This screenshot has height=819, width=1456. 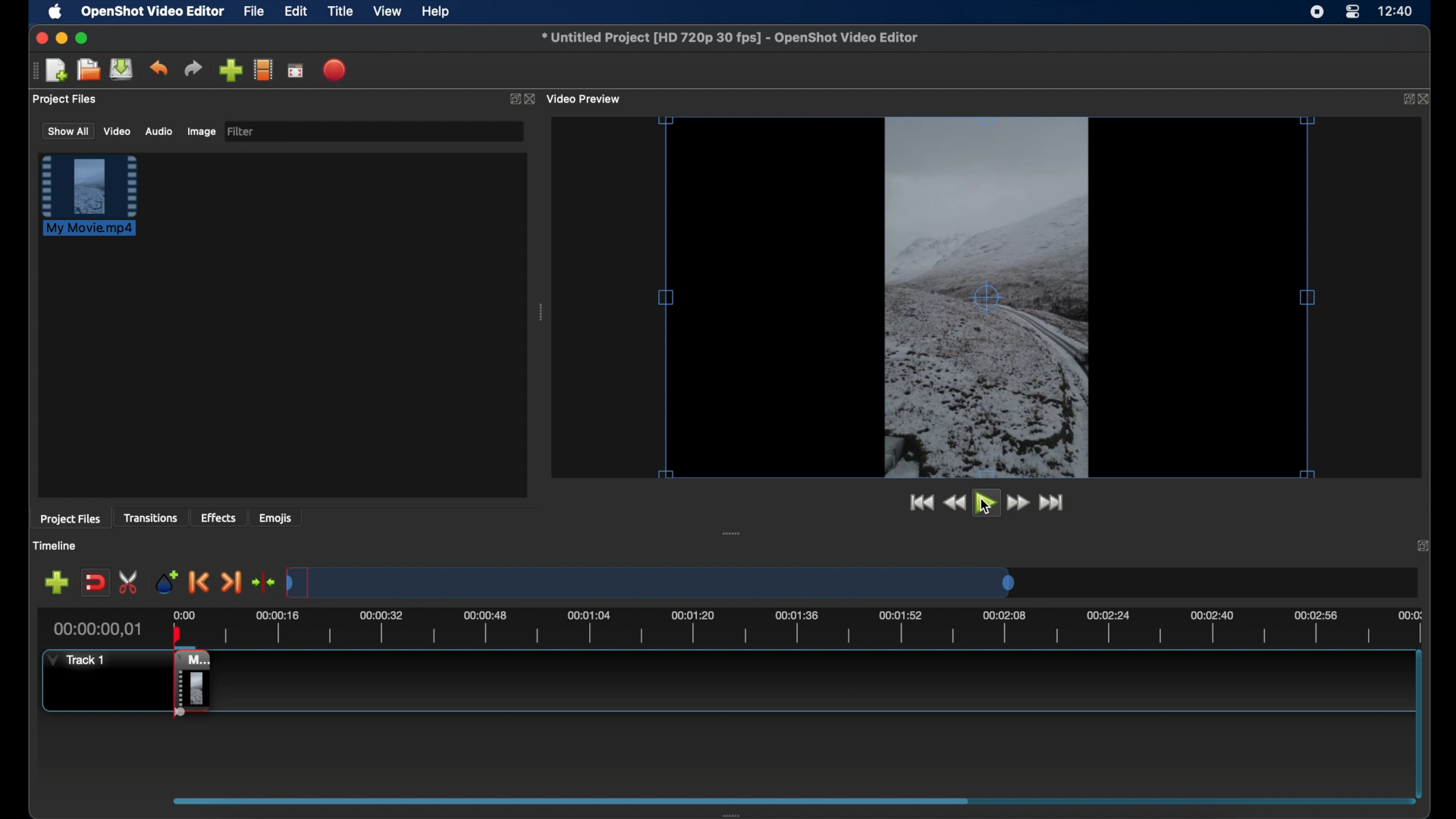 I want to click on show all, so click(x=67, y=130).